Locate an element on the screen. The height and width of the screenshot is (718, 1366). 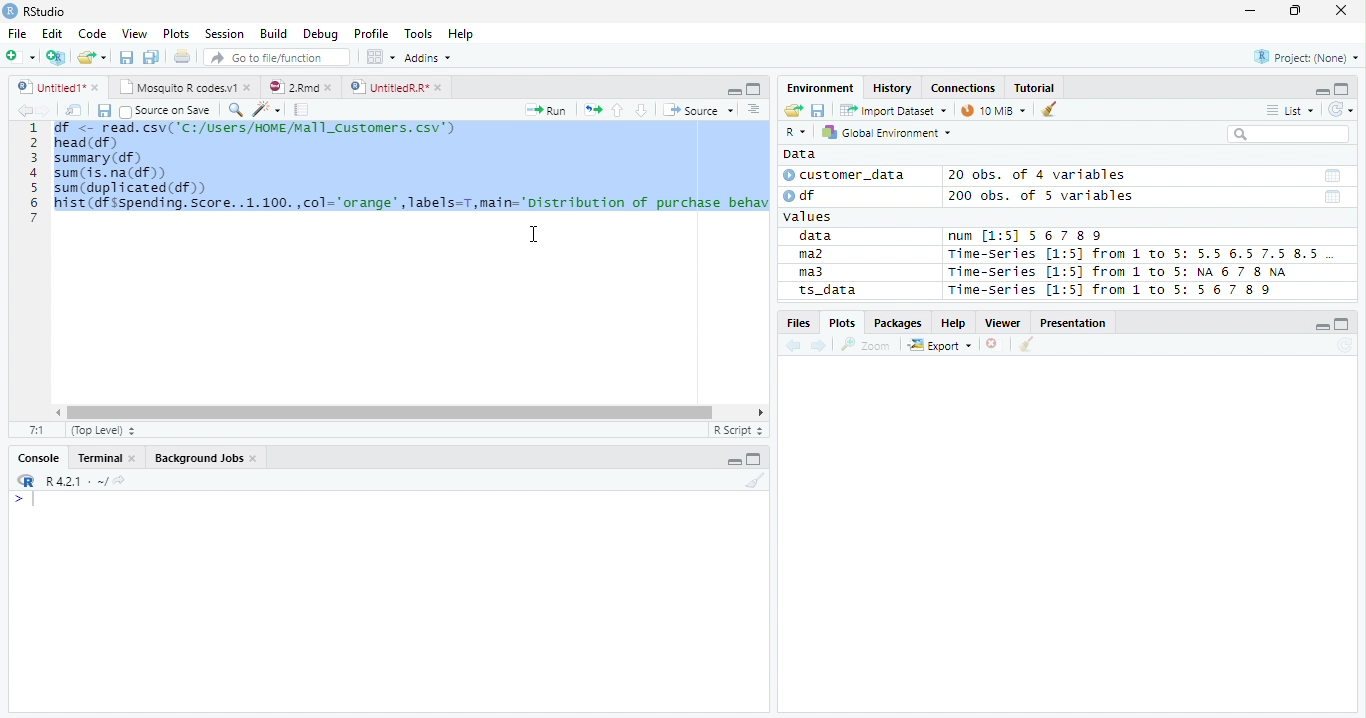
Compile Report is located at coordinates (302, 110).